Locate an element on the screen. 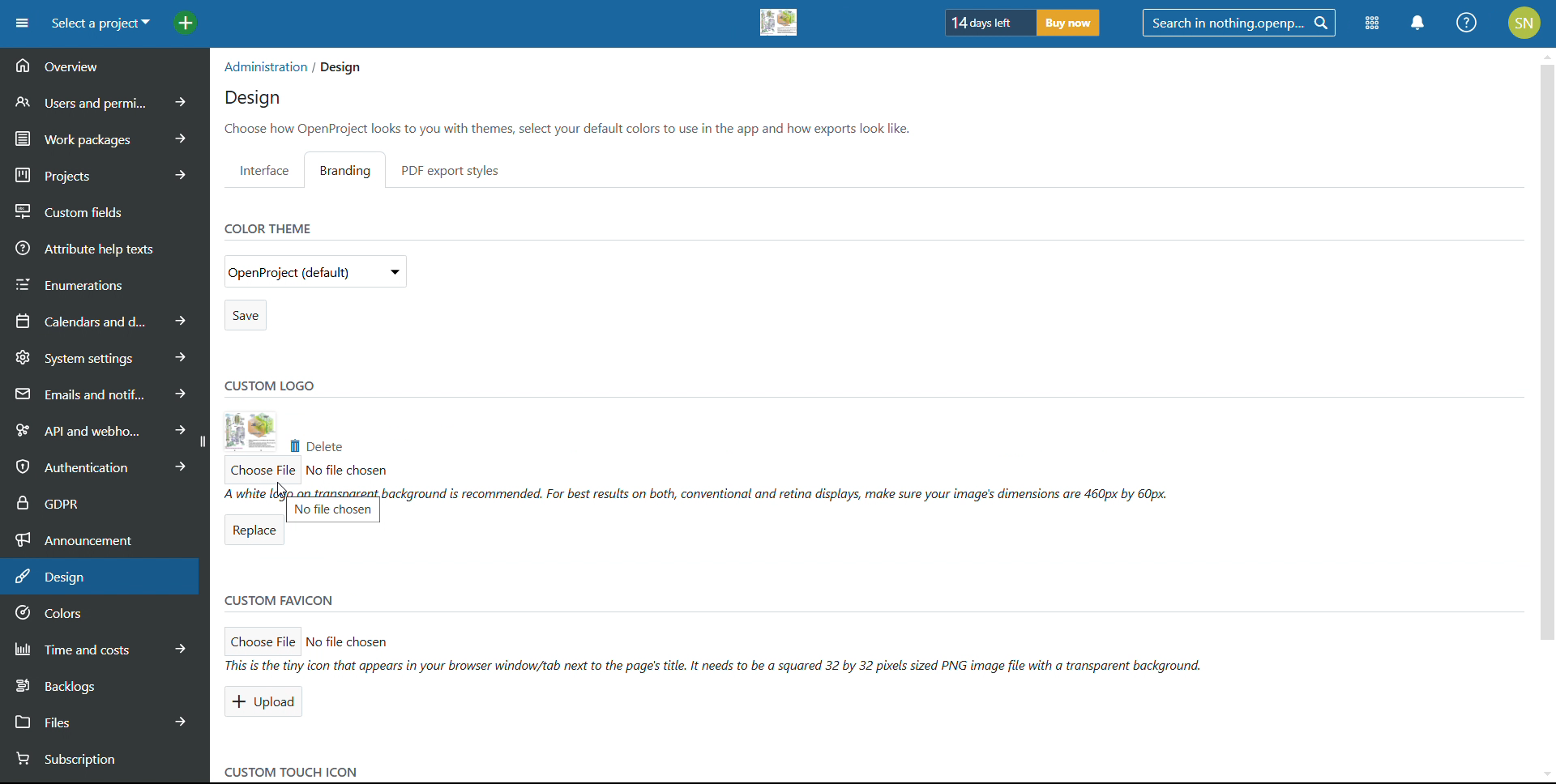  enumerations is located at coordinates (105, 282).